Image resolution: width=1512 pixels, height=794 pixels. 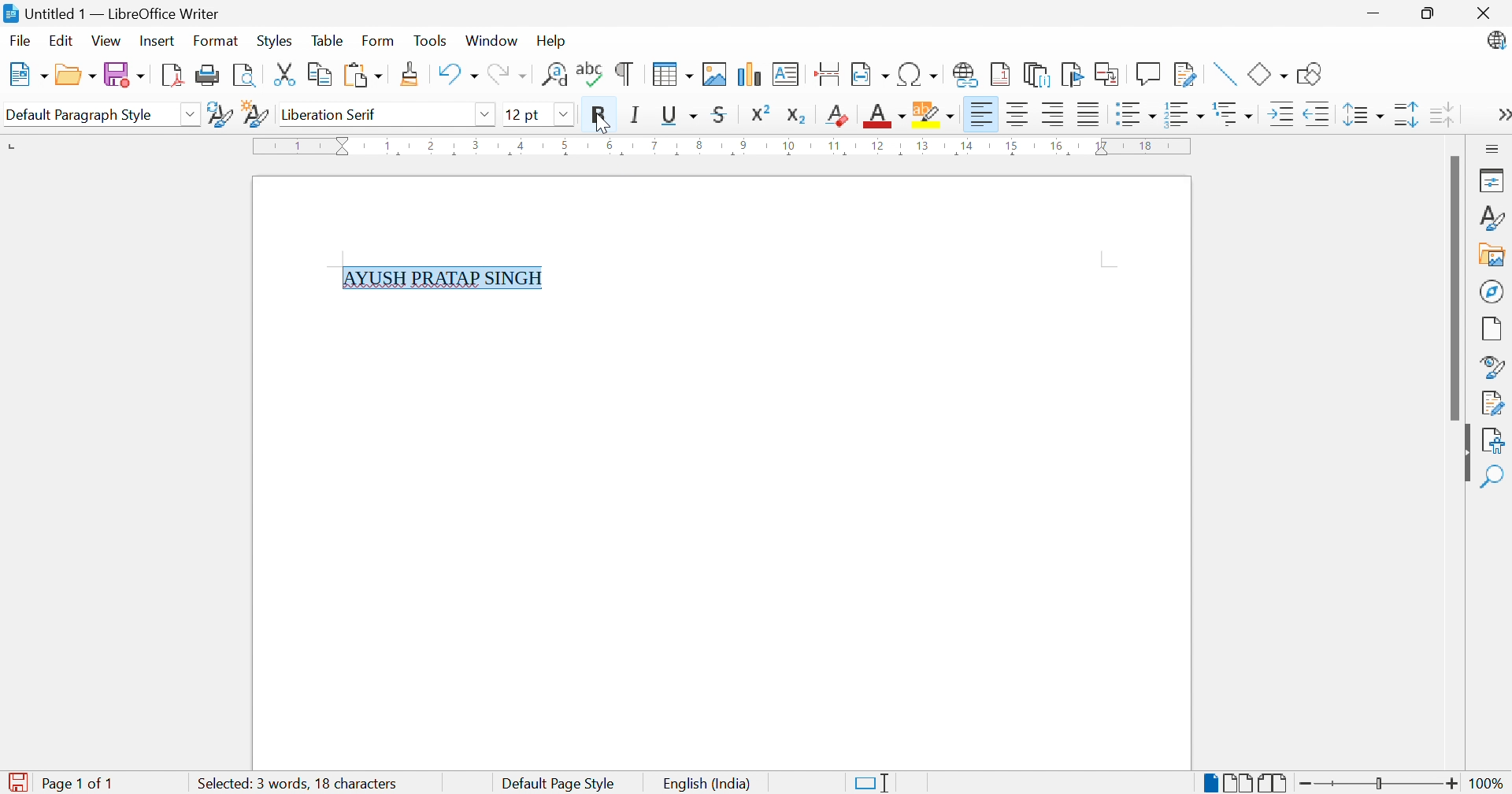 I want to click on Check Spelling, so click(x=588, y=76).